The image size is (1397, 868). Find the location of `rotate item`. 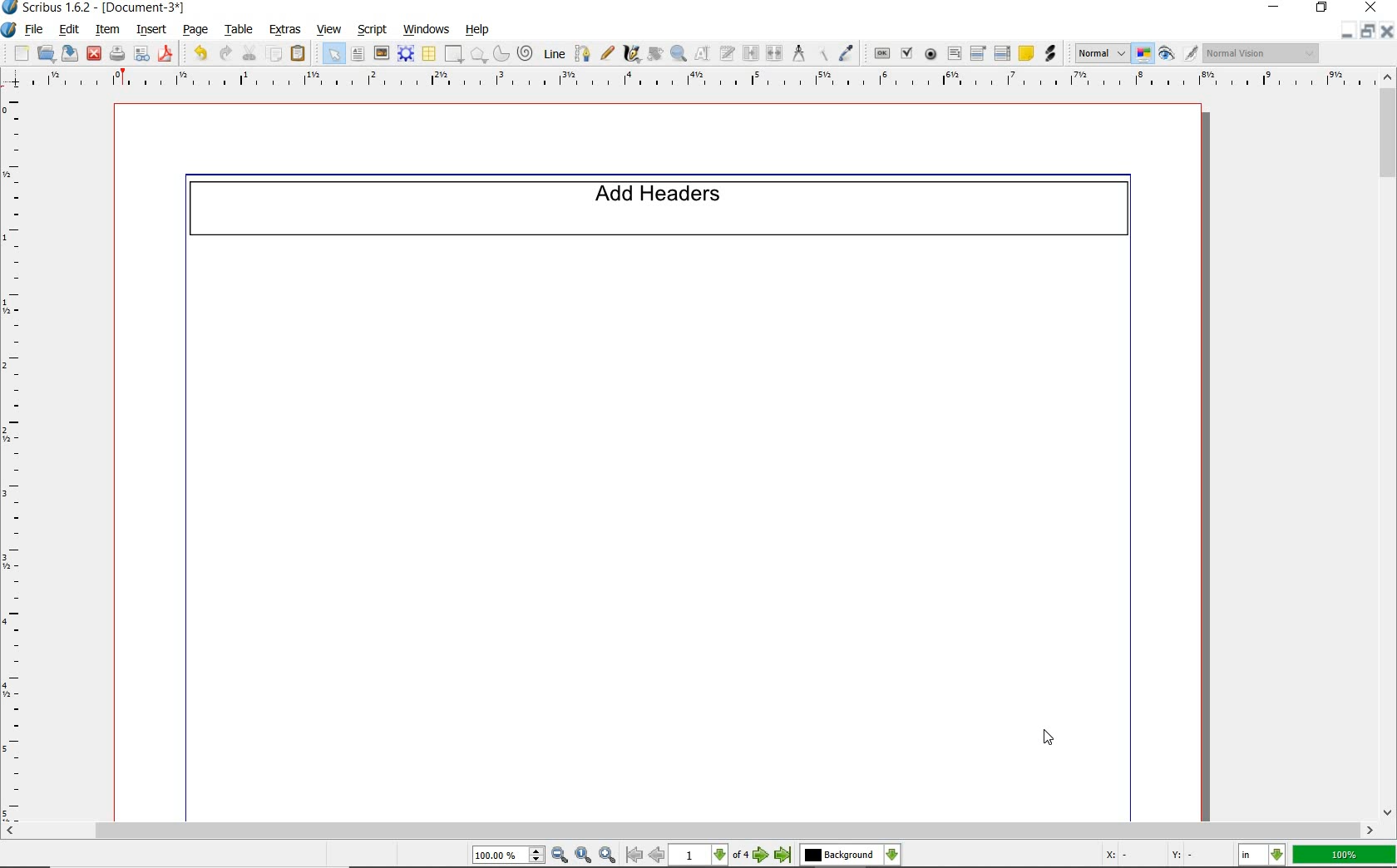

rotate item is located at coordinates (654, 55).